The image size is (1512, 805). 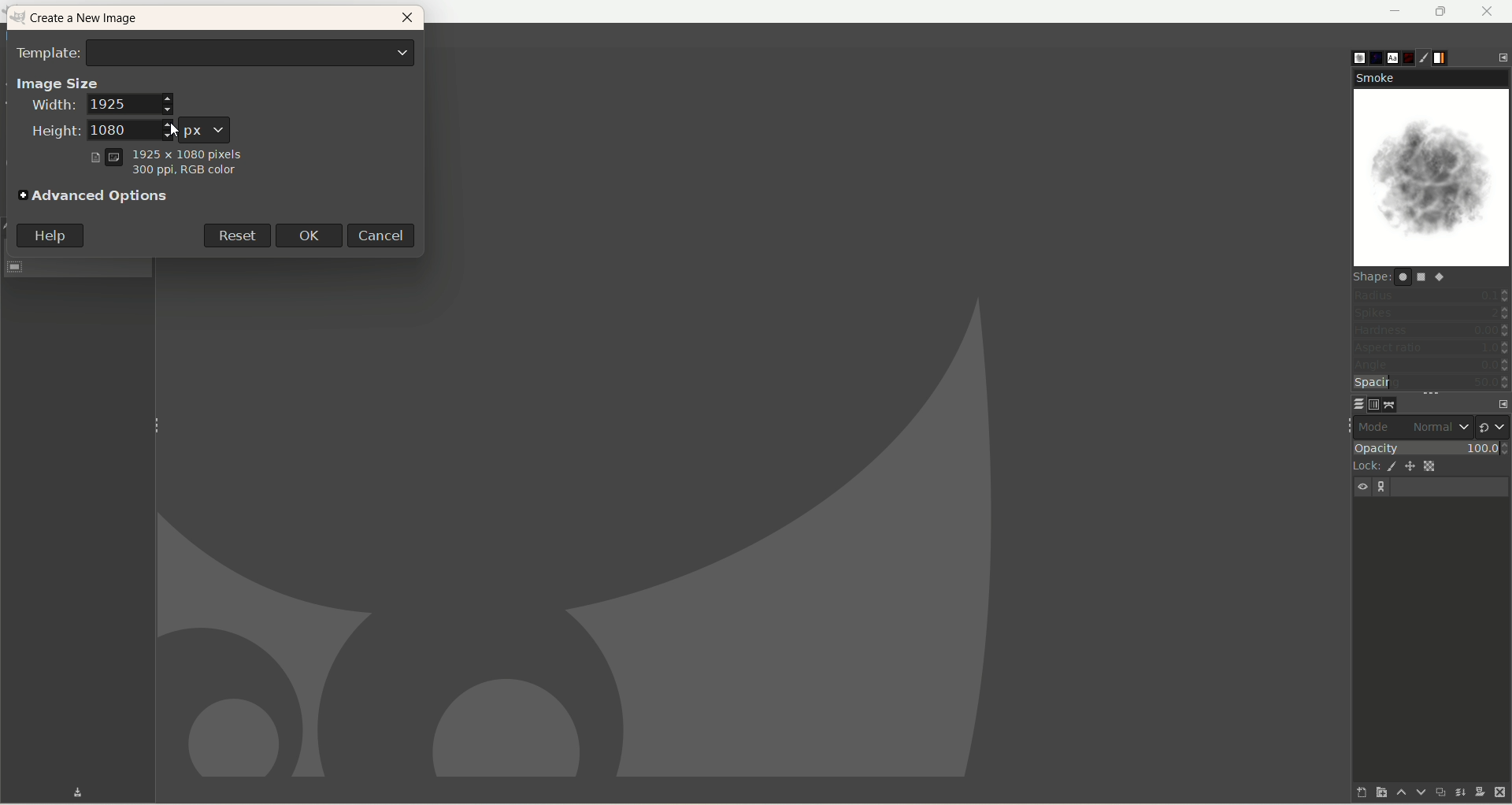 What do you see at coordinates (20, 18) in the screenshot?
I see `logo` at bounding box center [20, 18].